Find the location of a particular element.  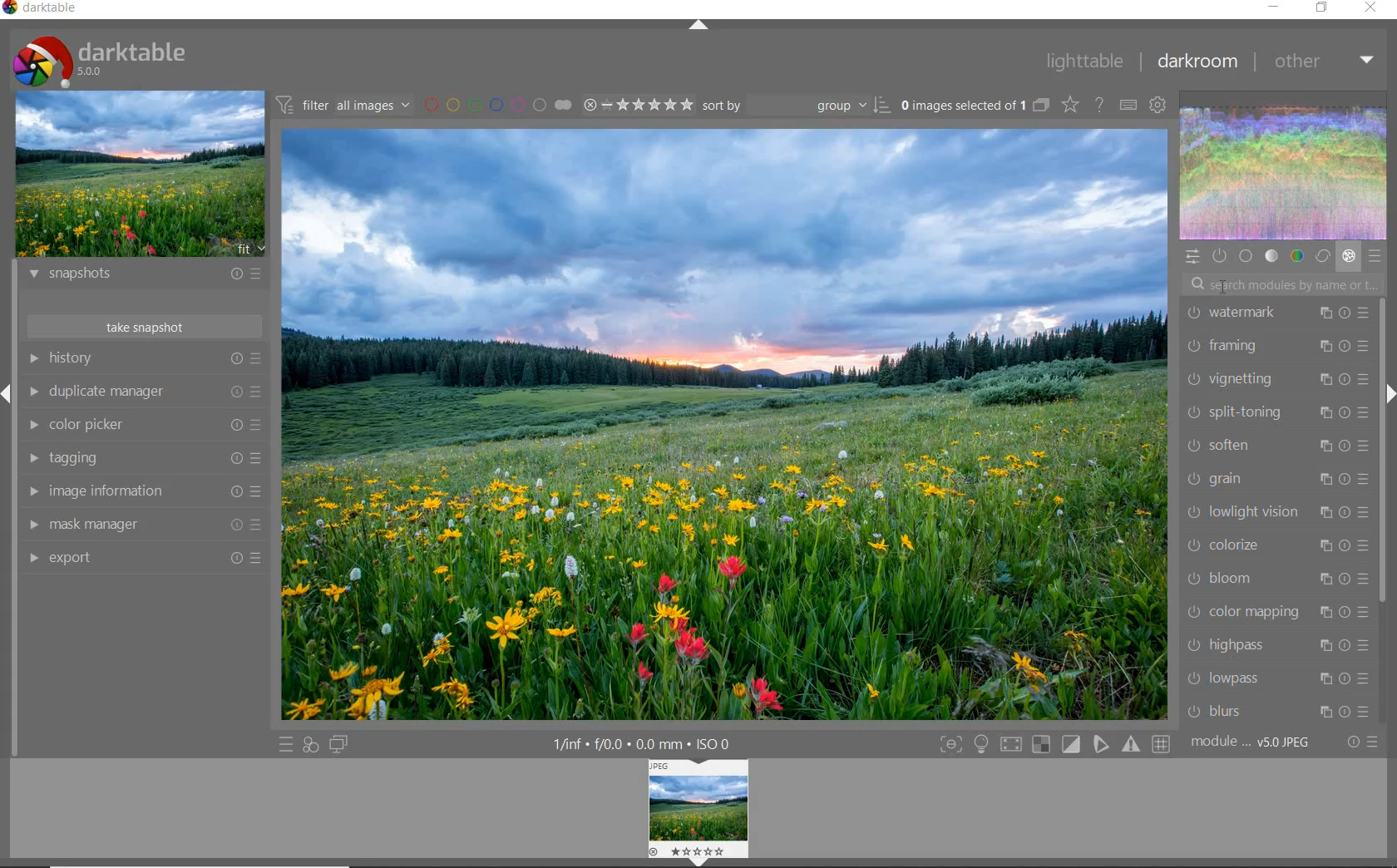

take snapshot is located at coordinates (146, 327).